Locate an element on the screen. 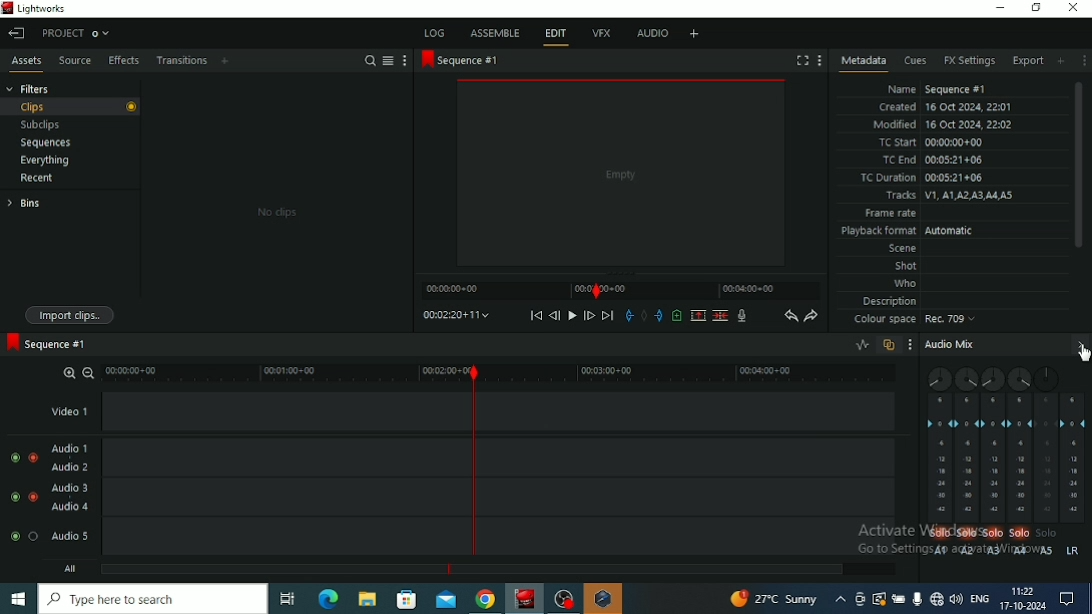 This screenshot has width=1092, height=614. Add Panel is located at coordinates (226, 61).